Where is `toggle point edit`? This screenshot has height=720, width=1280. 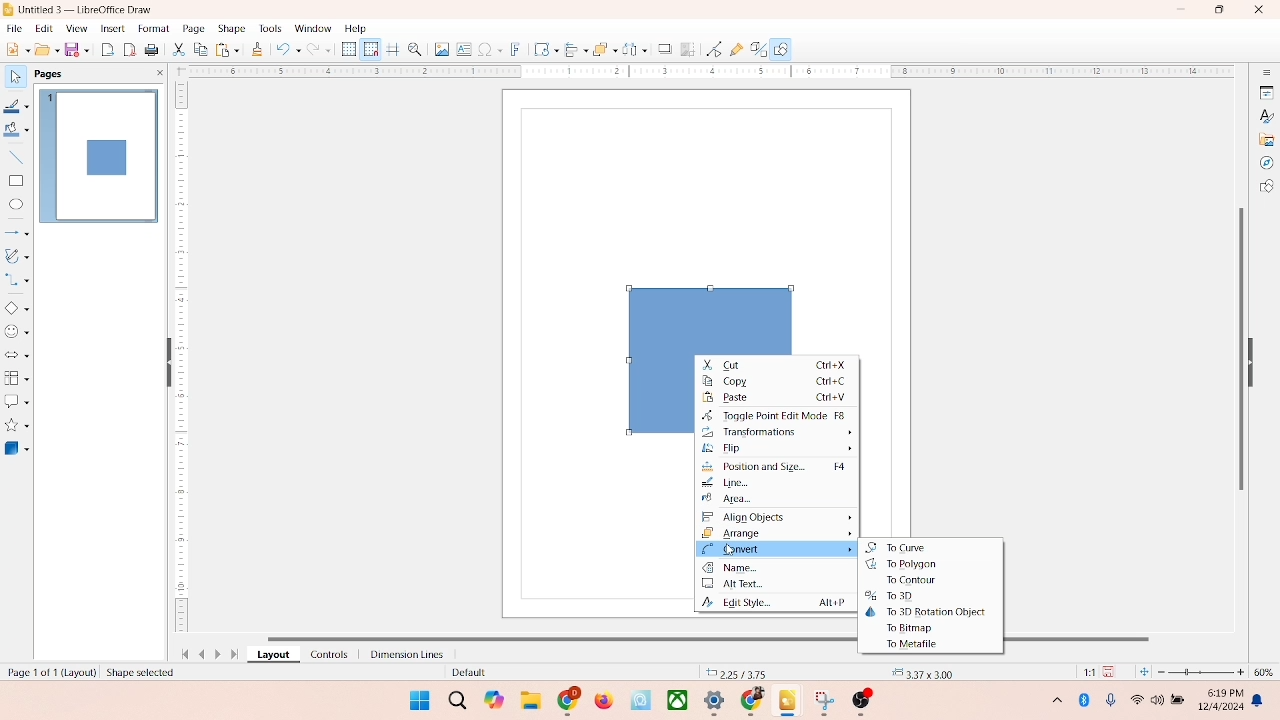
toggle point edit is located at coordinates (775, 415).